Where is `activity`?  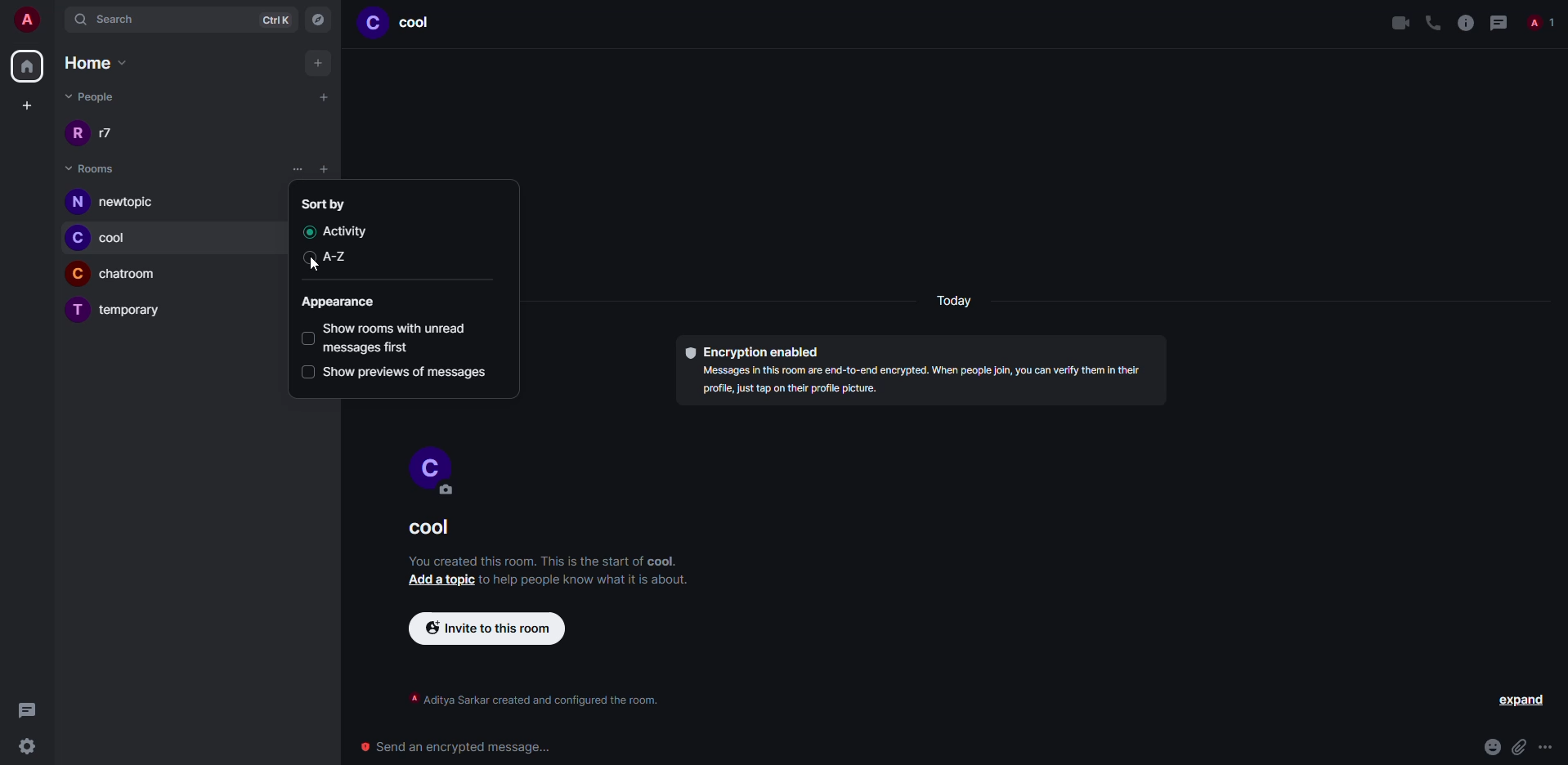 activity is located at coordinates (341, 230).